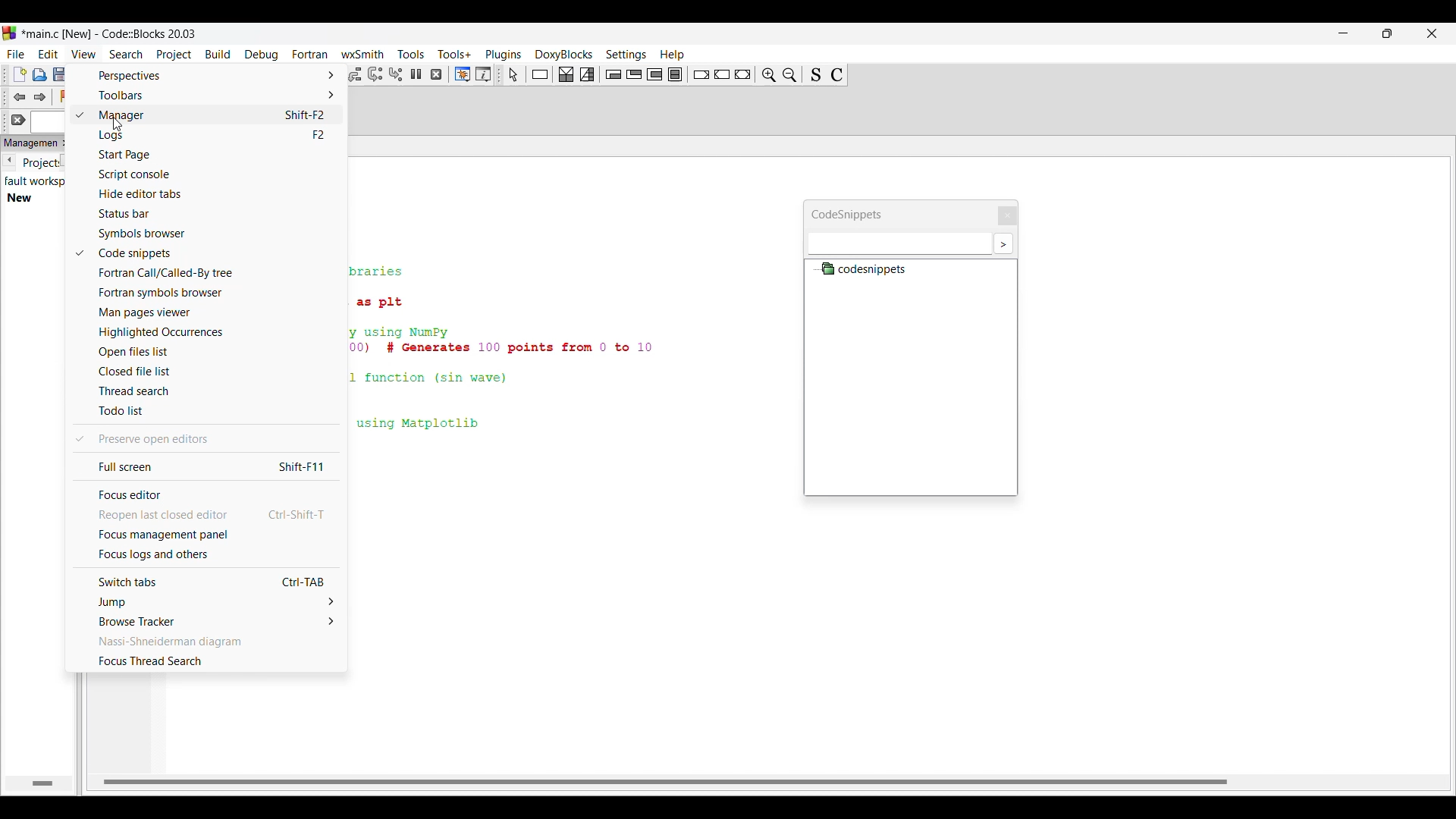  Describe the element at coordinates (218, 54) in the screenshot. I see `Build menu` at that location.